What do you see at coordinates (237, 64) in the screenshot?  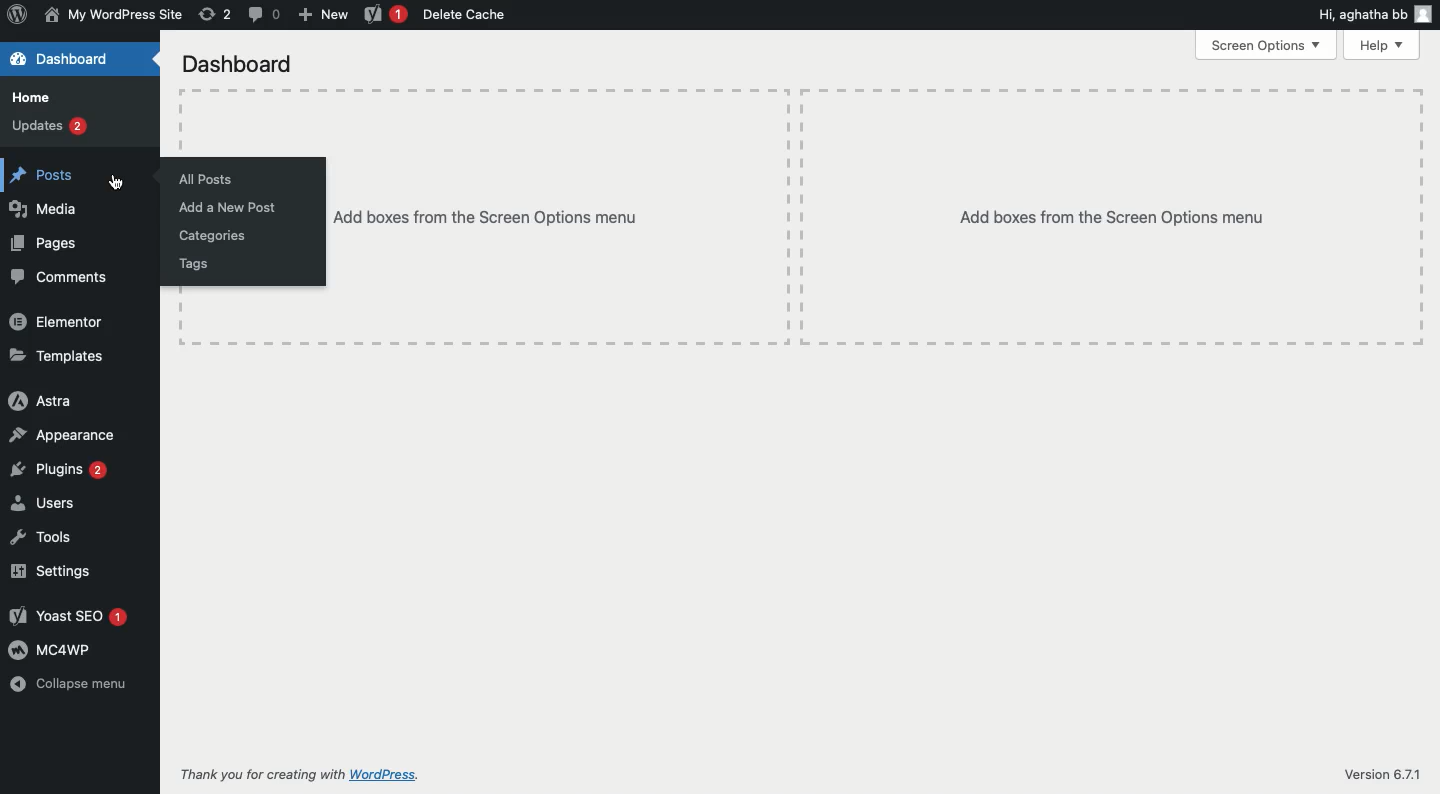 I see `Dashboard` at bounding box center [237, 64].